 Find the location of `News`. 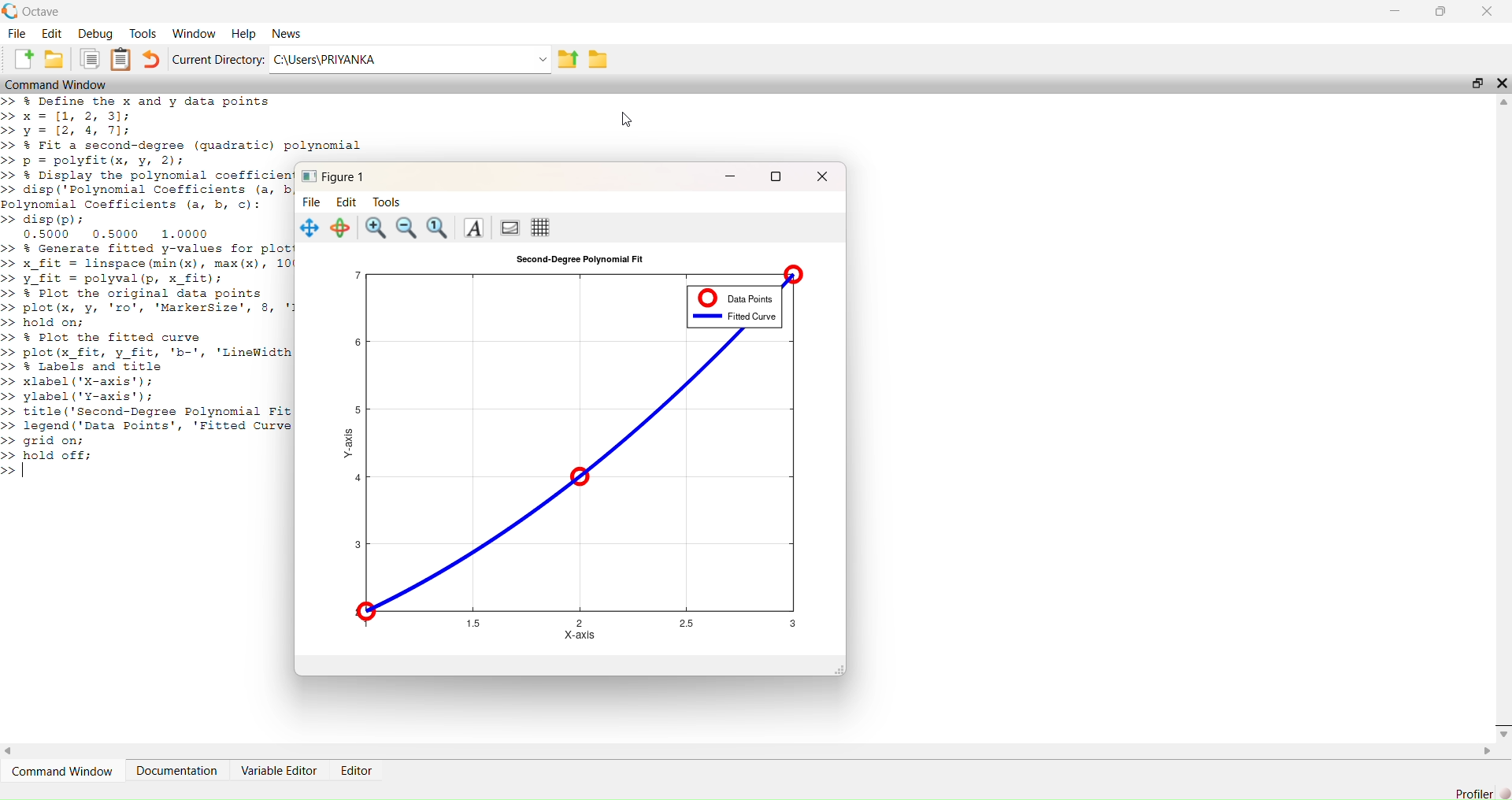

News is located at coordinates (291, 33).